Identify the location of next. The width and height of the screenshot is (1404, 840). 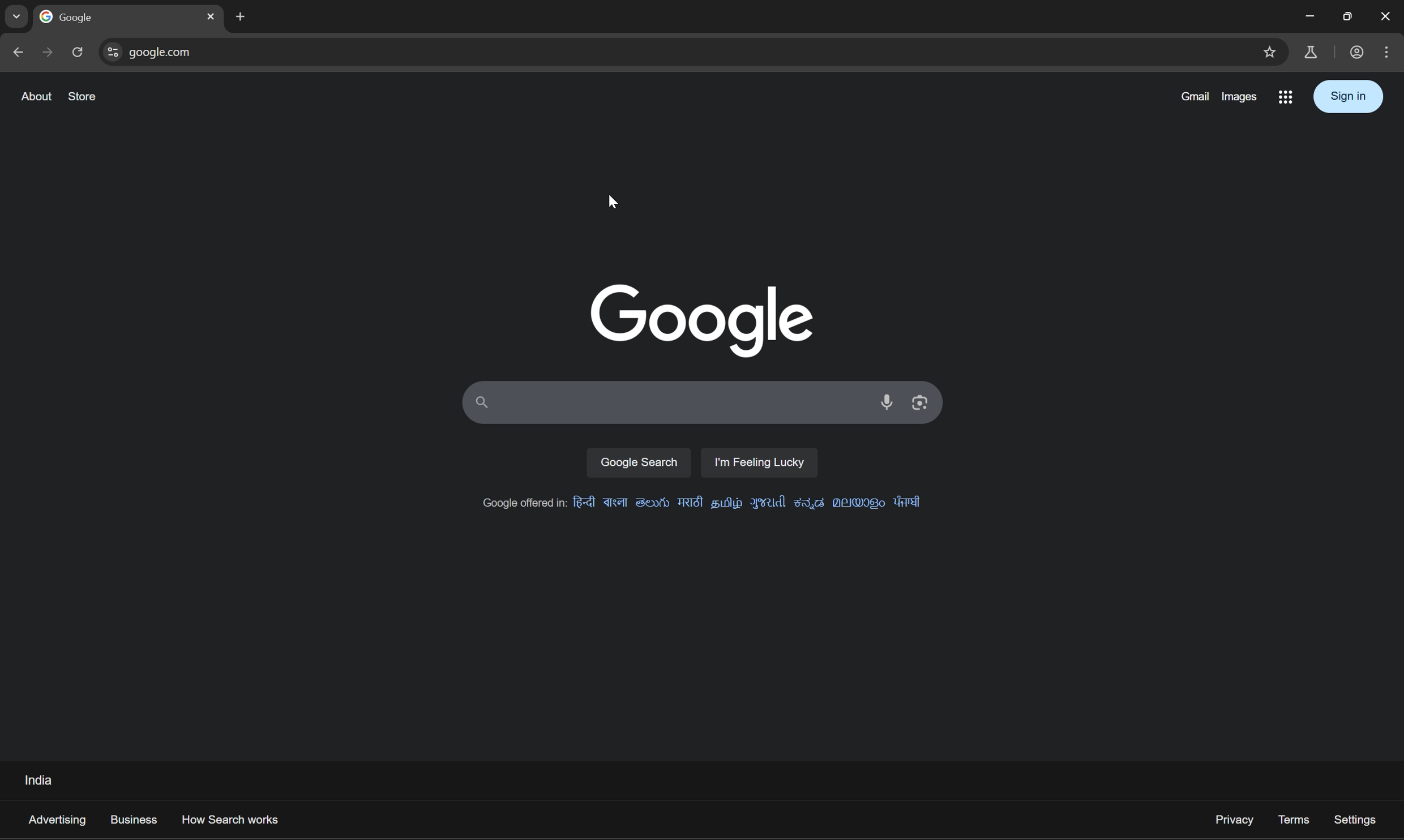
(48, 52).